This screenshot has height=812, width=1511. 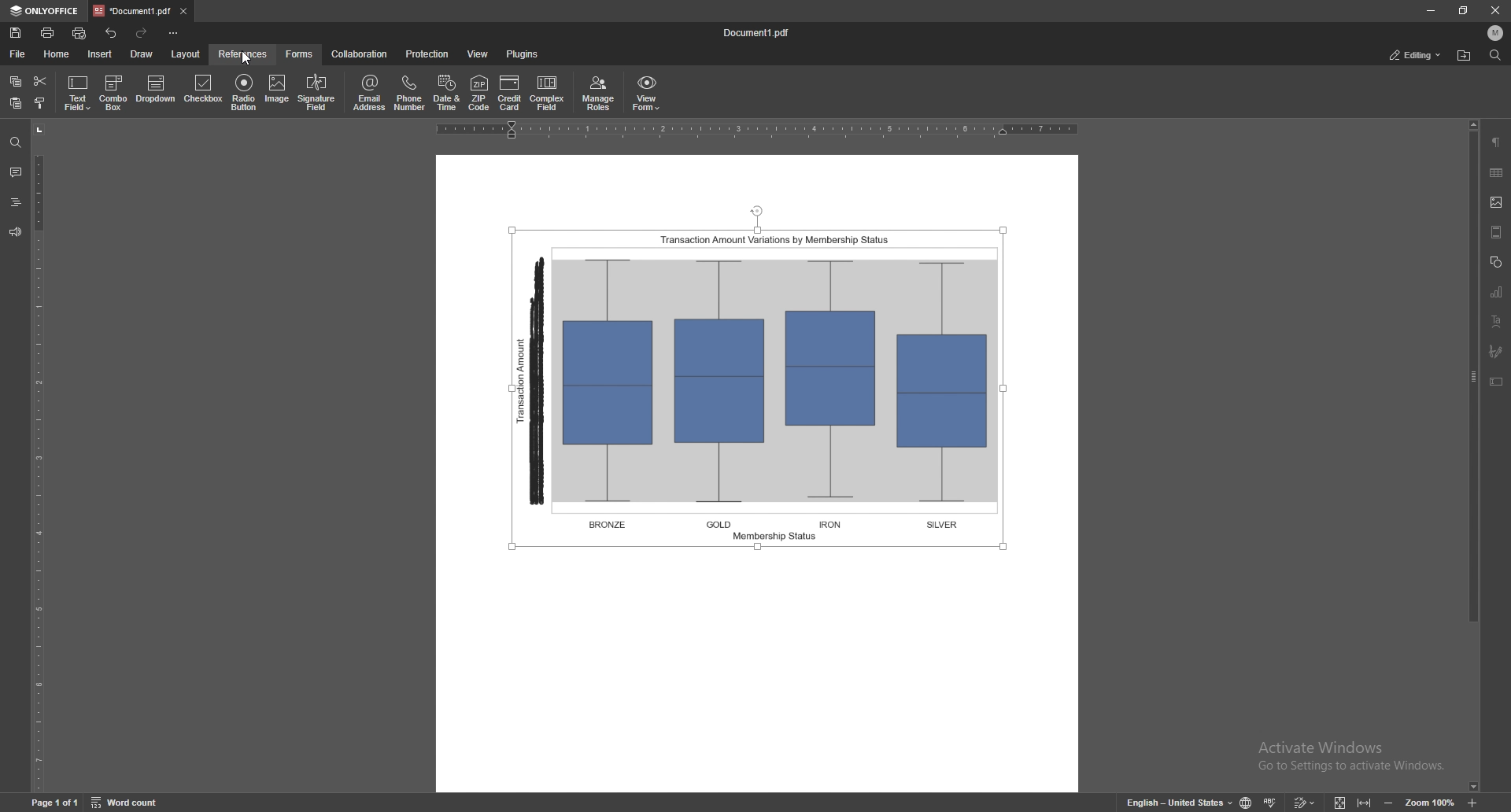 What do you see at coordinates (1430, 11) in the screenshot?
I see `minimize` at bounding box center [1430, 11].